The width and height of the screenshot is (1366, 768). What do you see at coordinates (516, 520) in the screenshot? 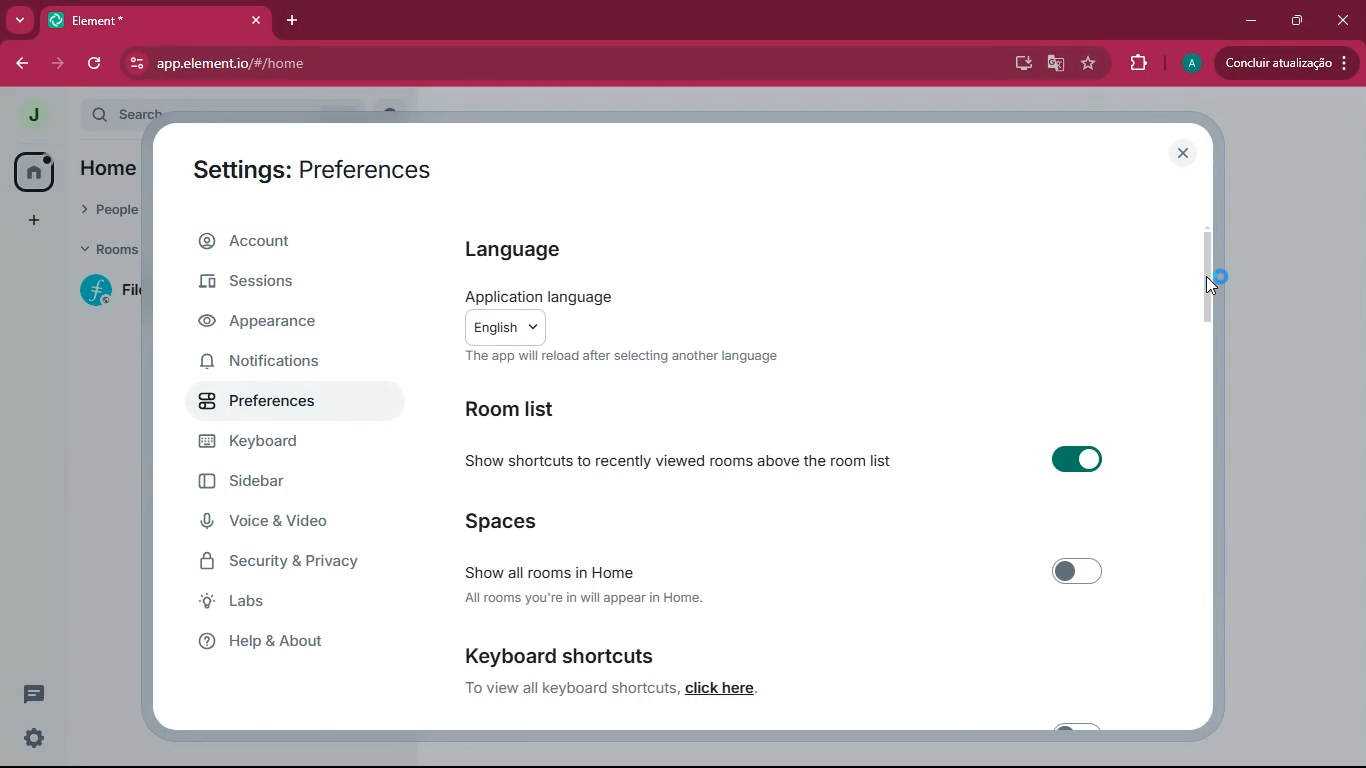
I see `spaces` at bounding box center [516, 520].